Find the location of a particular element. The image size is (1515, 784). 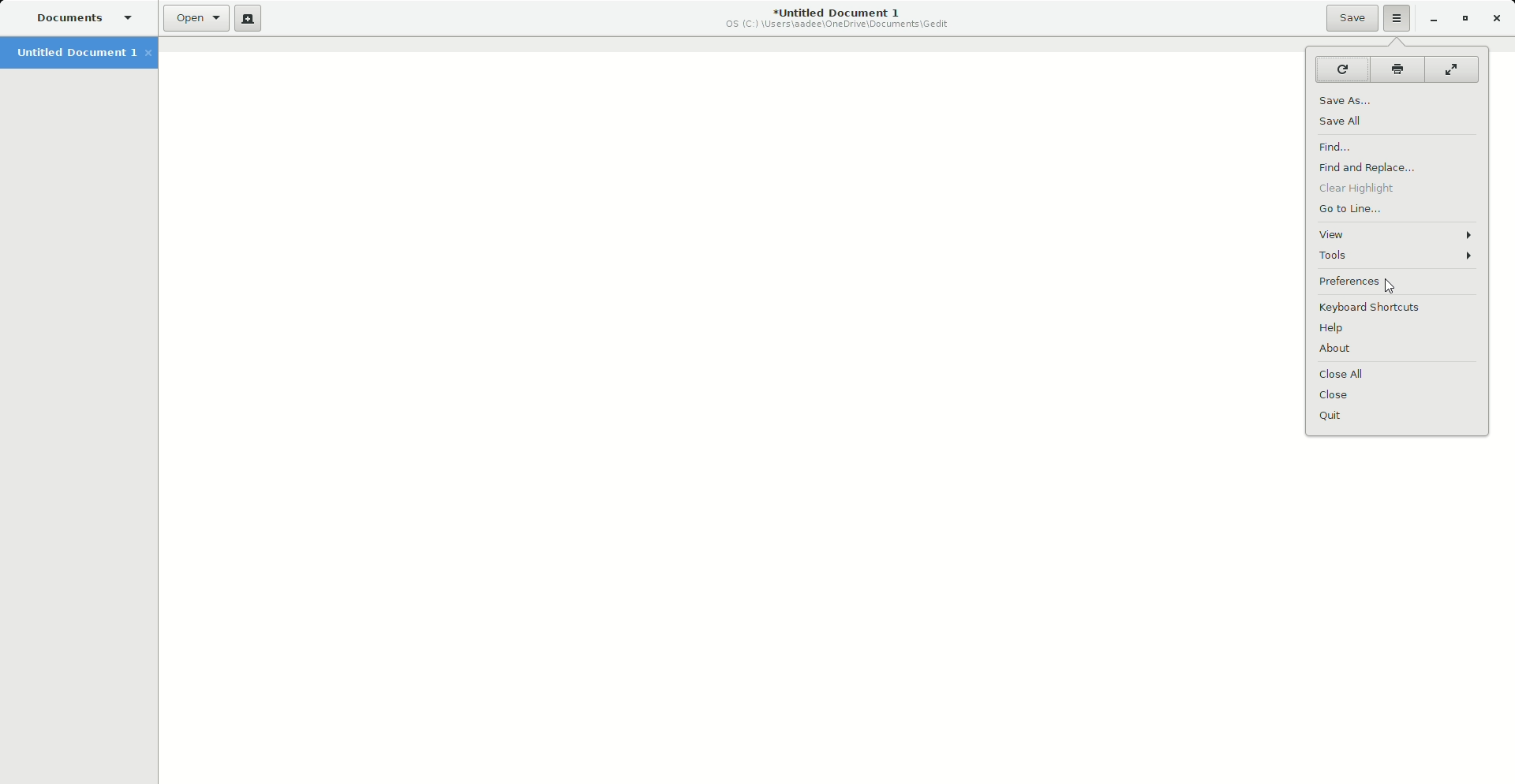

Keyboard Shortcuts is located at coordinates (1378, 309).